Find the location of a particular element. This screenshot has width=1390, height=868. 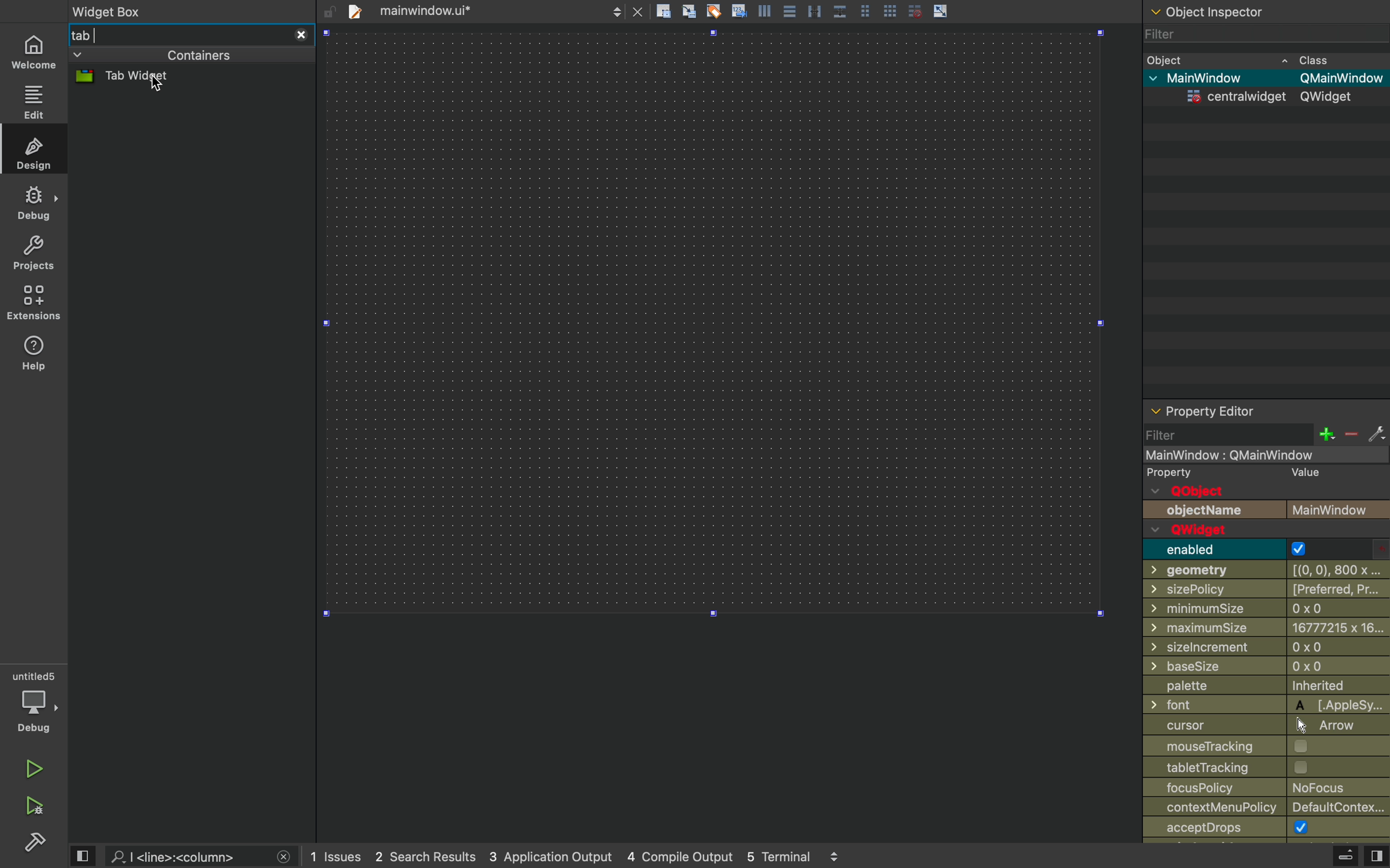

filter is located at coordinates (1172, 436).